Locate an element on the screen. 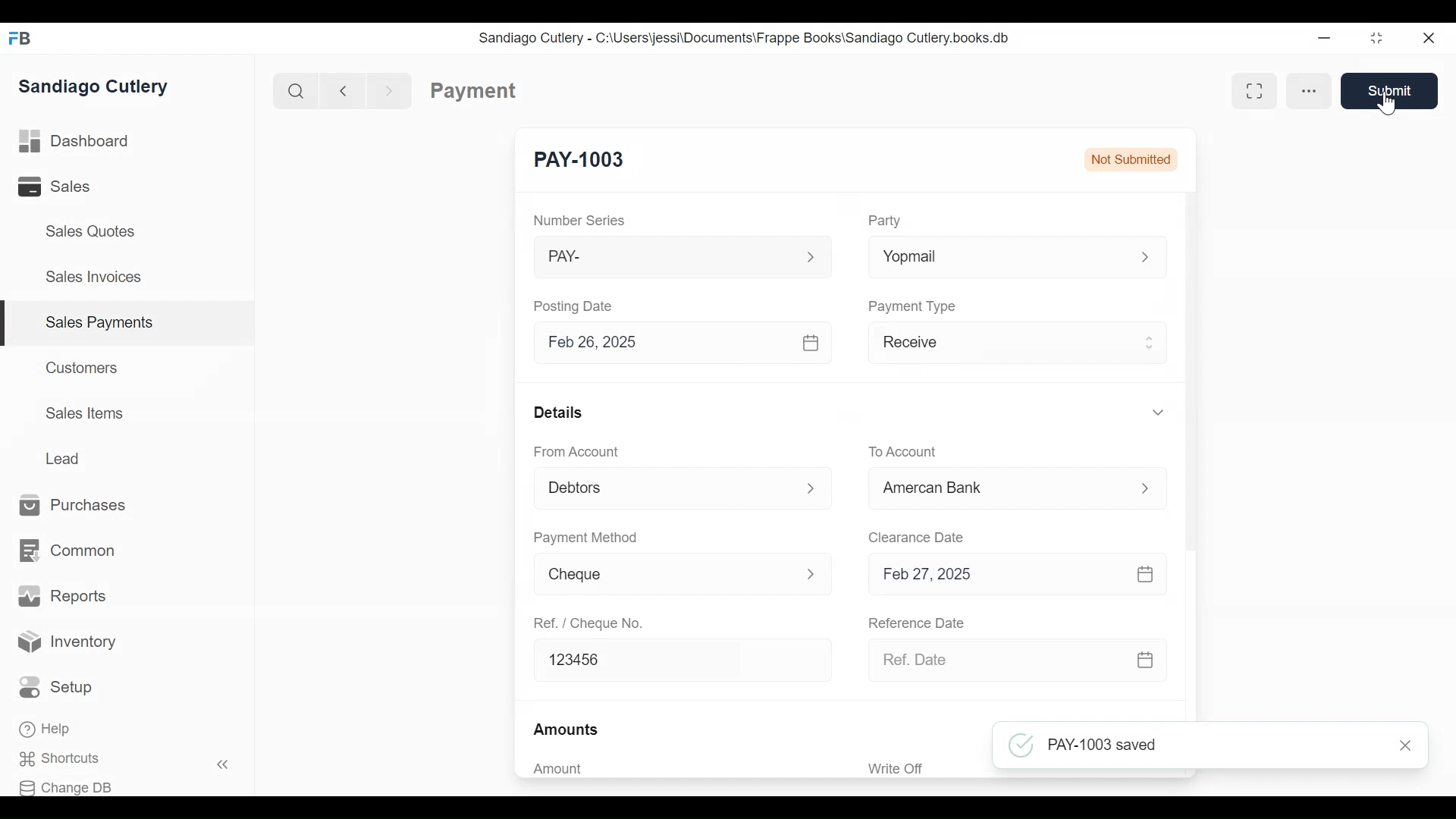  PAY-1003 is located at coordinates (580, 160).